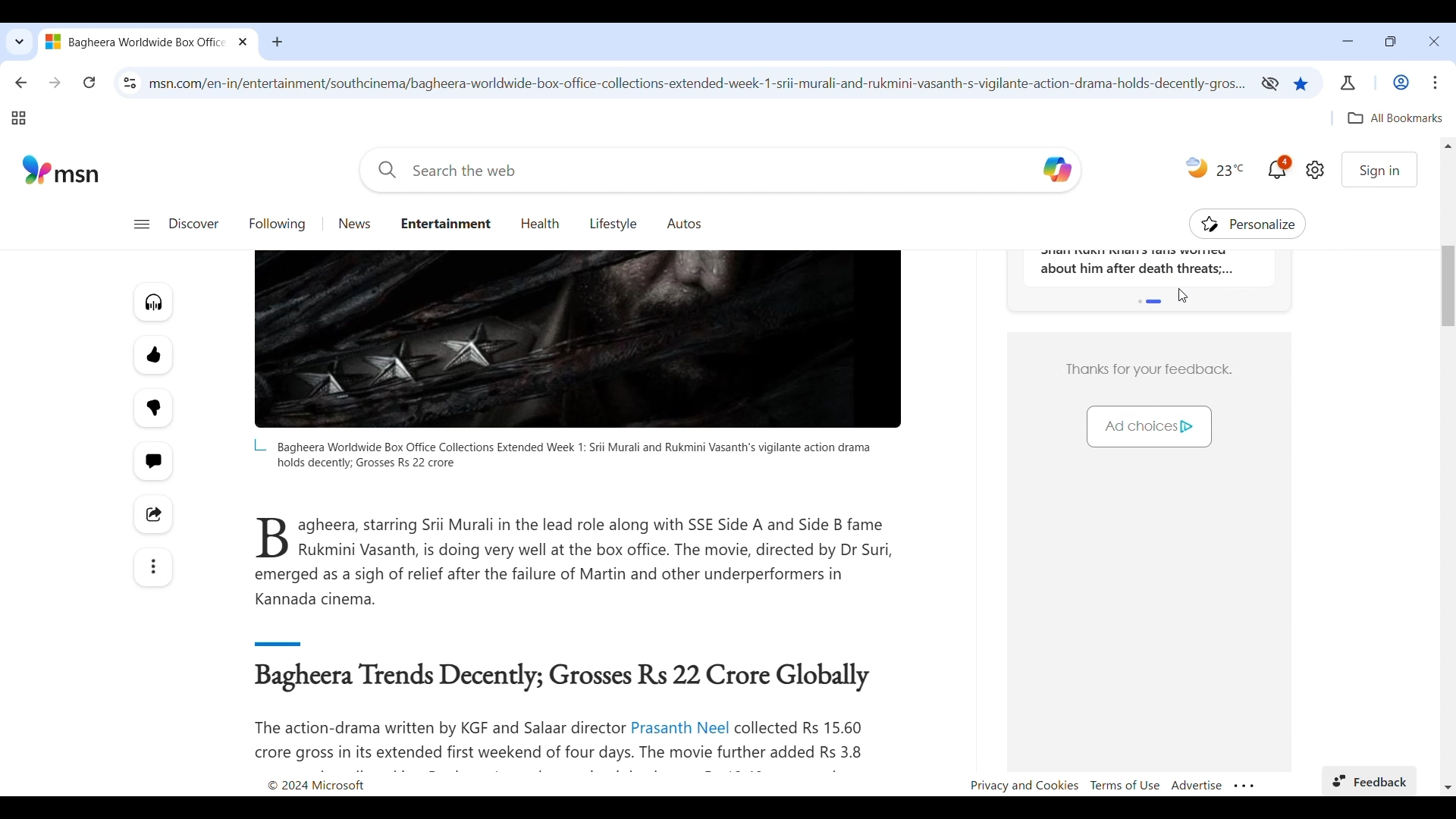  Describe the element at coordinates (152, 567) in the screenshot. I see `See more` at that location.